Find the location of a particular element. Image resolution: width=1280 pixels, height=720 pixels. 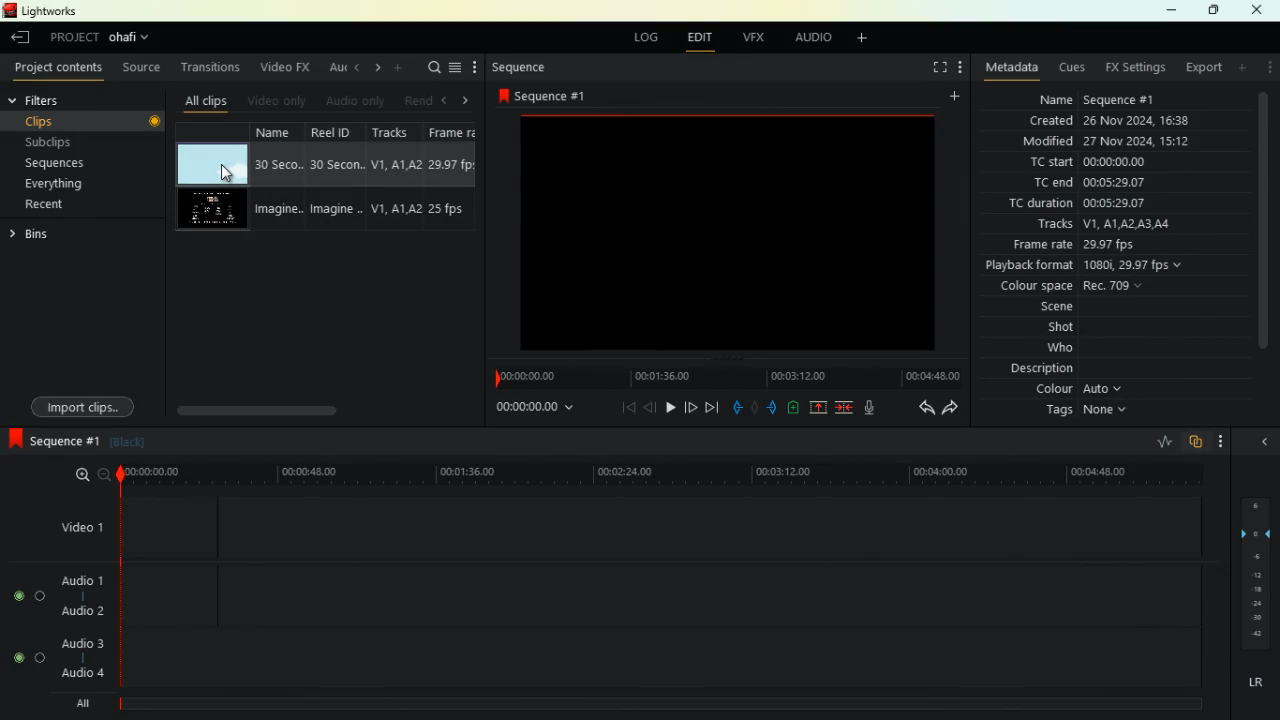

play is located at coordinates (670, 410).